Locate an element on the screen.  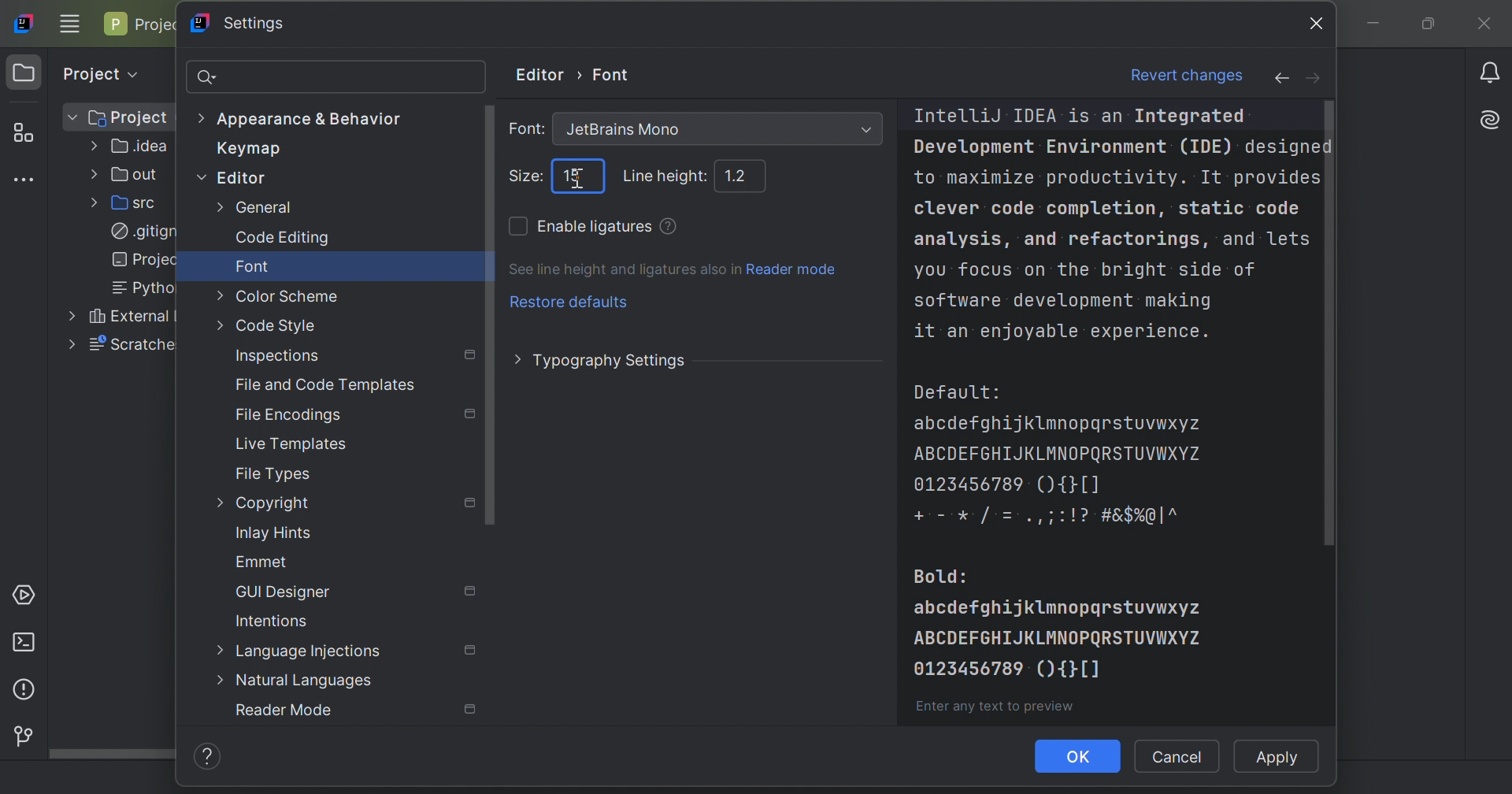
src is located at coordinates (132, 202).